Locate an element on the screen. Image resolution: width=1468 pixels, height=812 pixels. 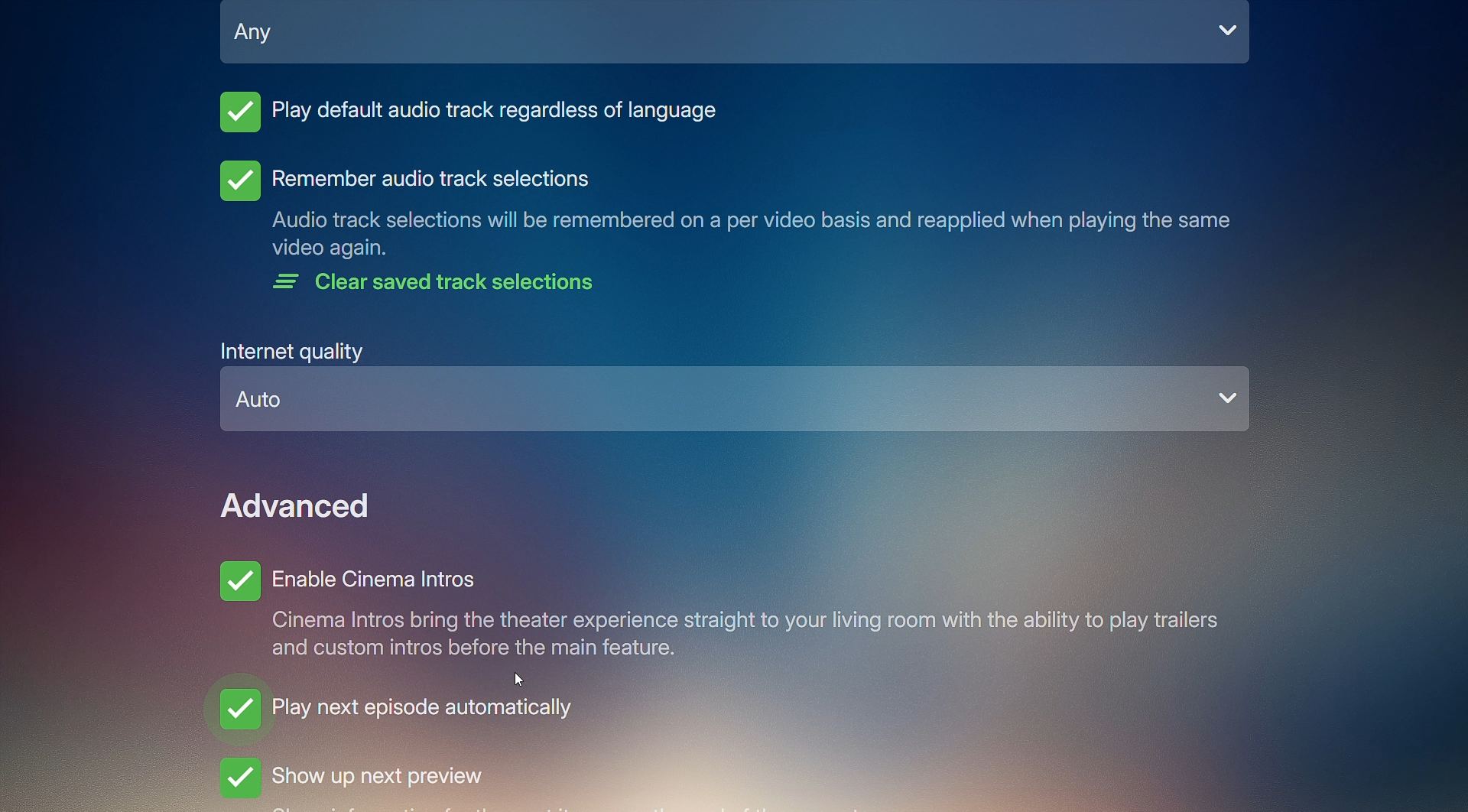
Play default audio track is located at coordinates (472, 117).